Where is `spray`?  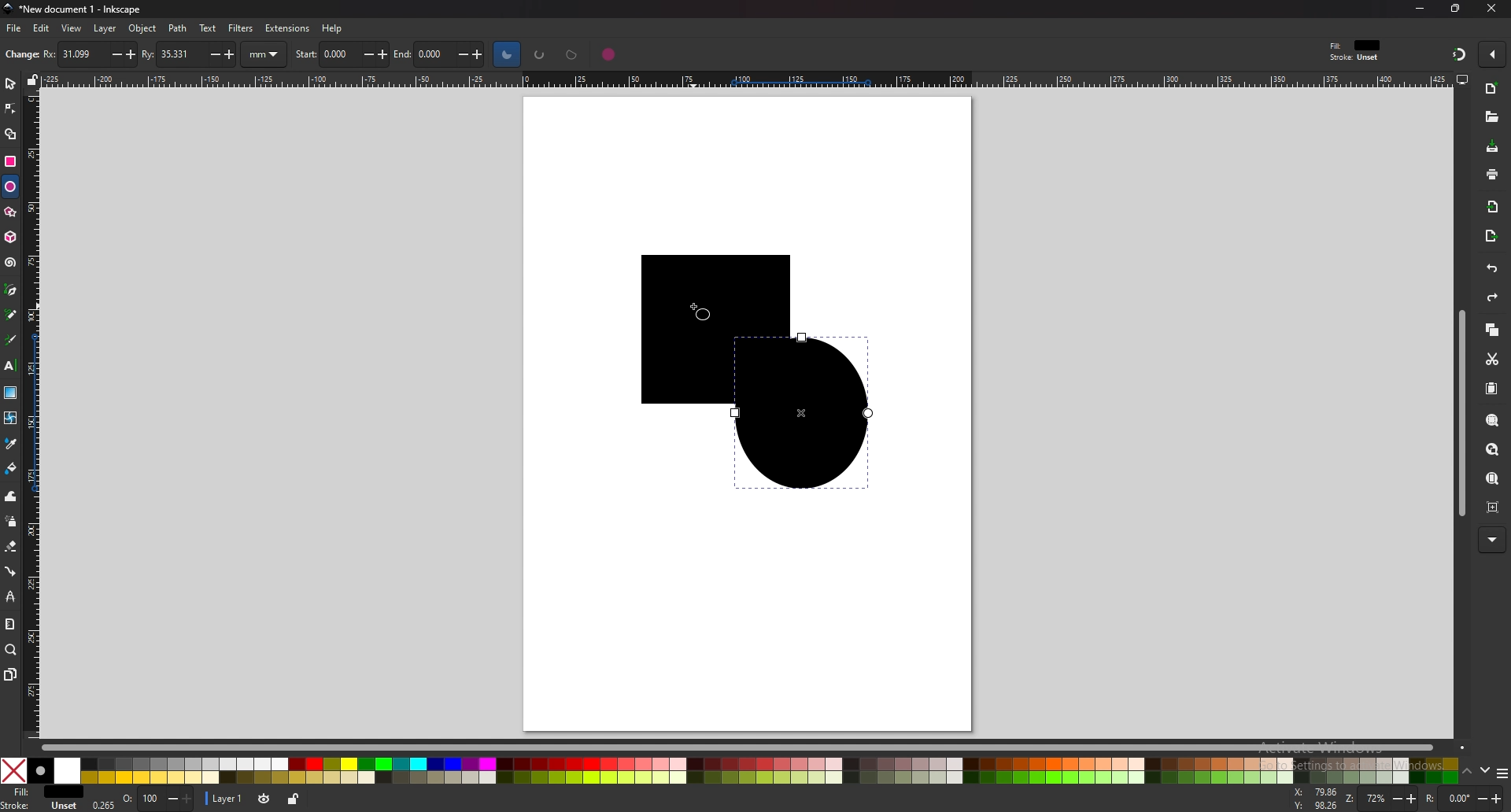
spray is located at coordinates (10, 522).